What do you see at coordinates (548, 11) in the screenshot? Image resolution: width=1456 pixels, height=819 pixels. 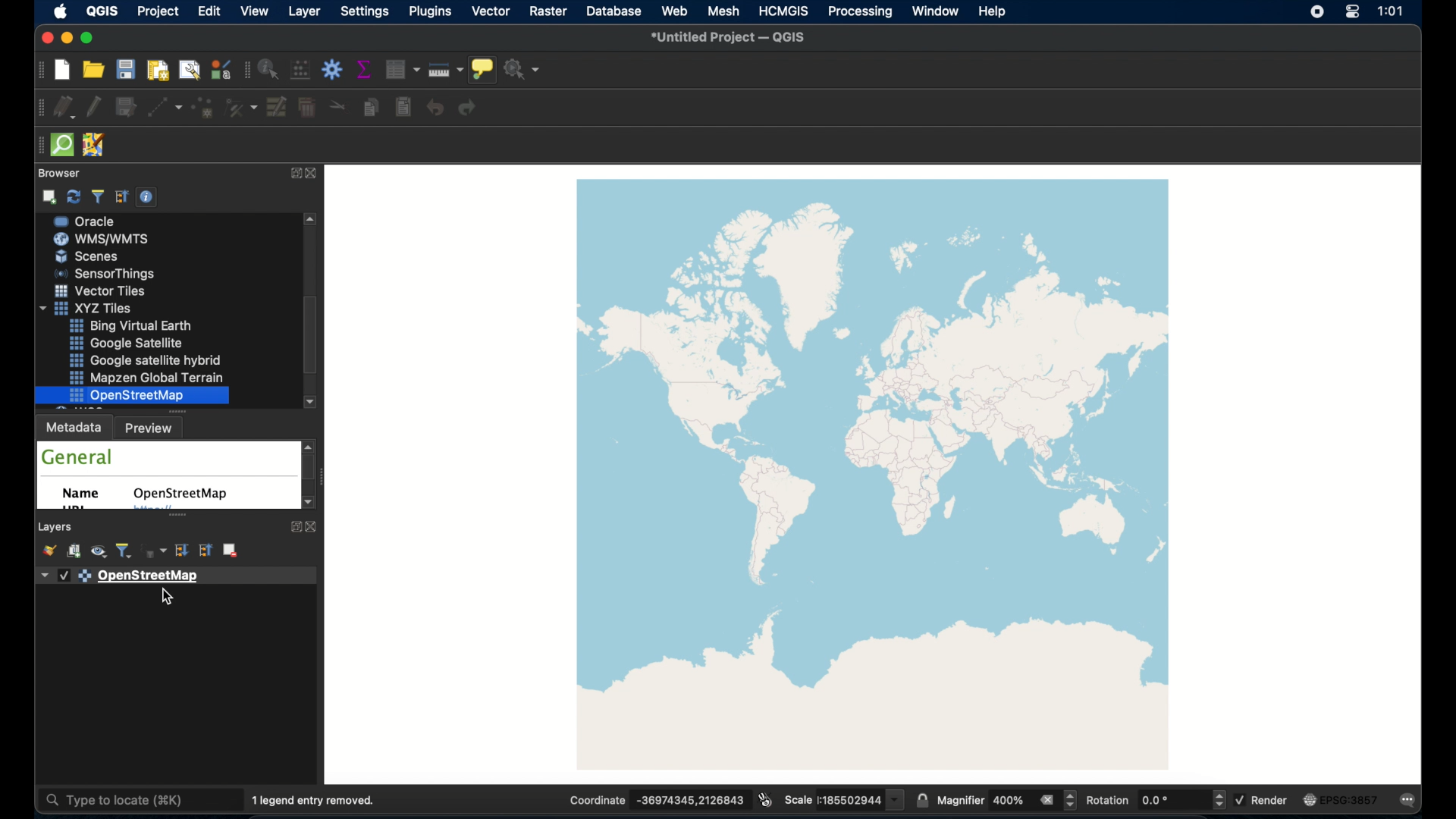 I see `raster` at bounding box center [548, 11].